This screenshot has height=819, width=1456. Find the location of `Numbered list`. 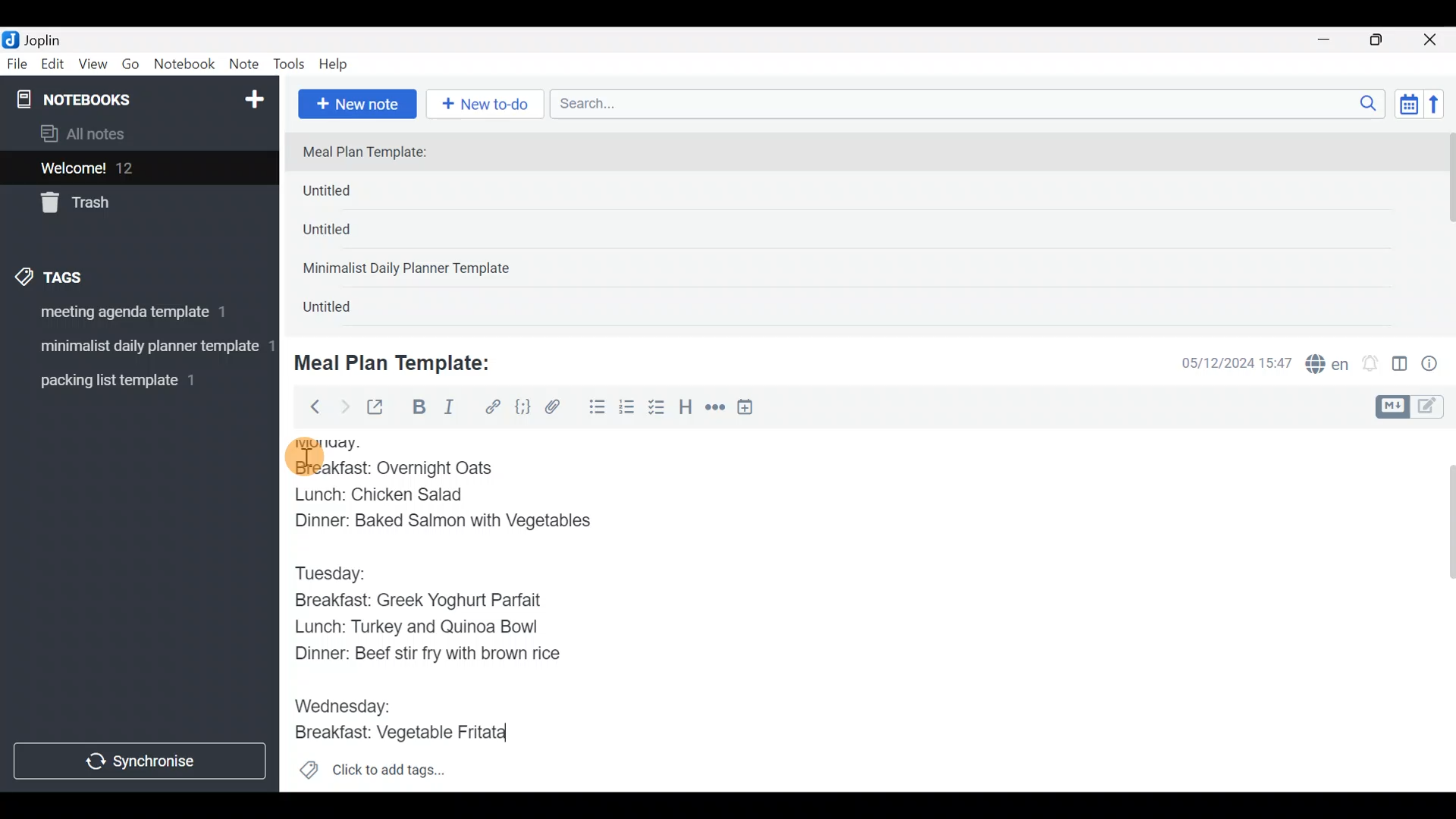

Numbered list is located at coordinates (627, 410).